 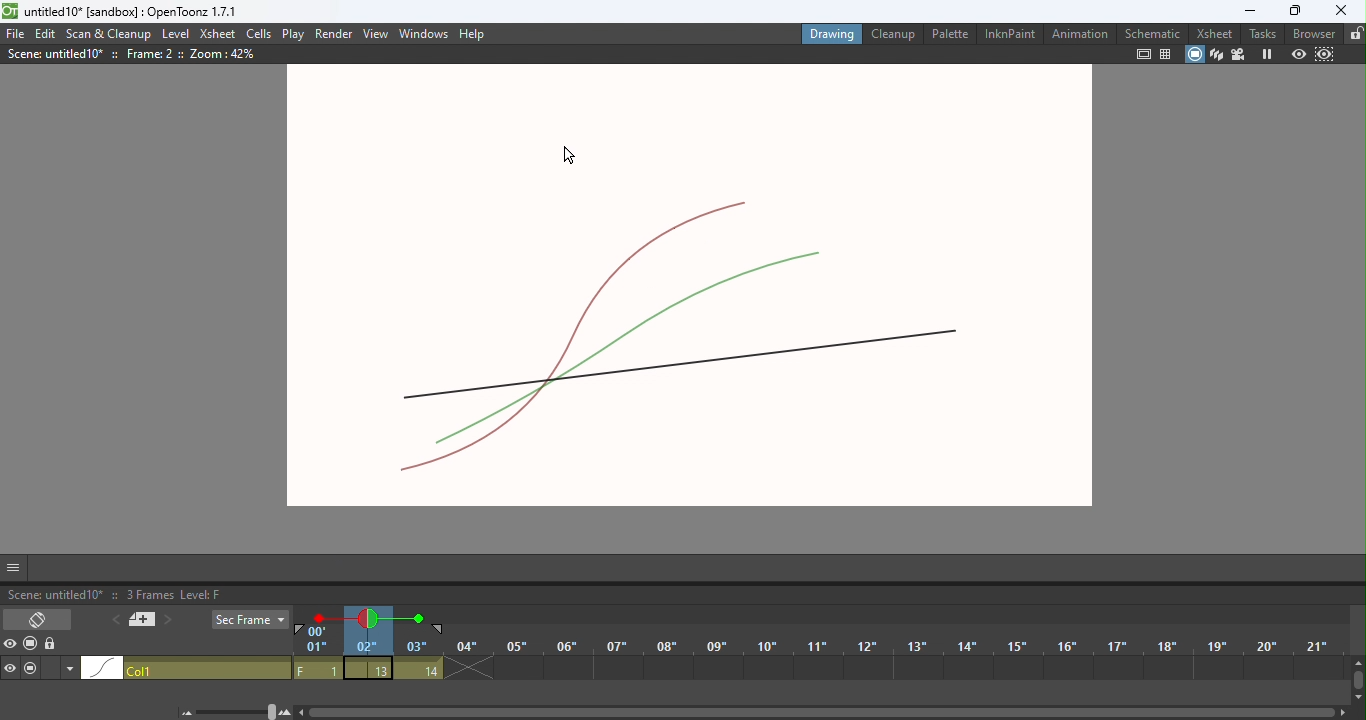 I want to click on safe area, so click(x=1143, y=54).